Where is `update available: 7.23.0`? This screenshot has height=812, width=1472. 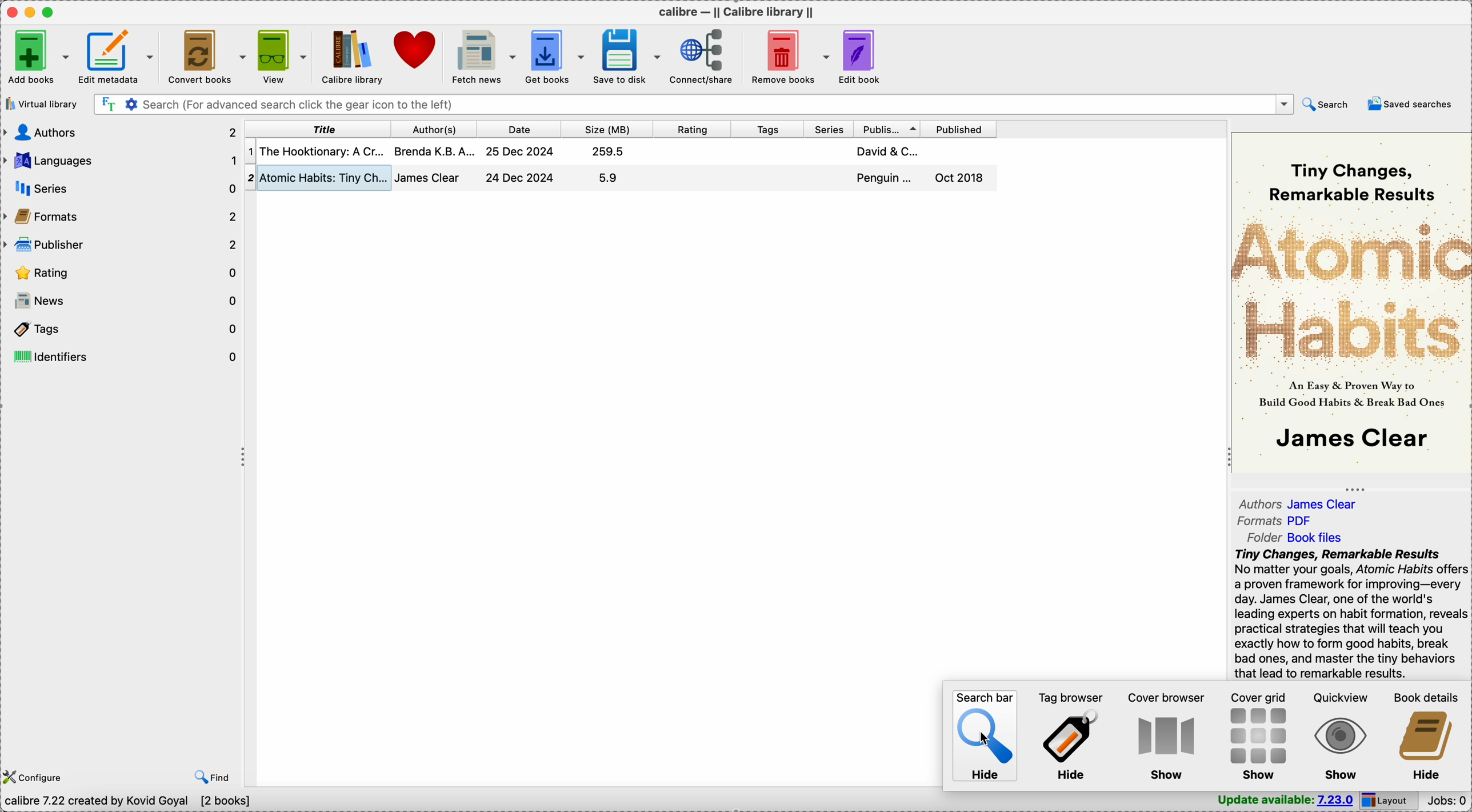 update available: 7.23.0 is located at coordinates (1283, 801).